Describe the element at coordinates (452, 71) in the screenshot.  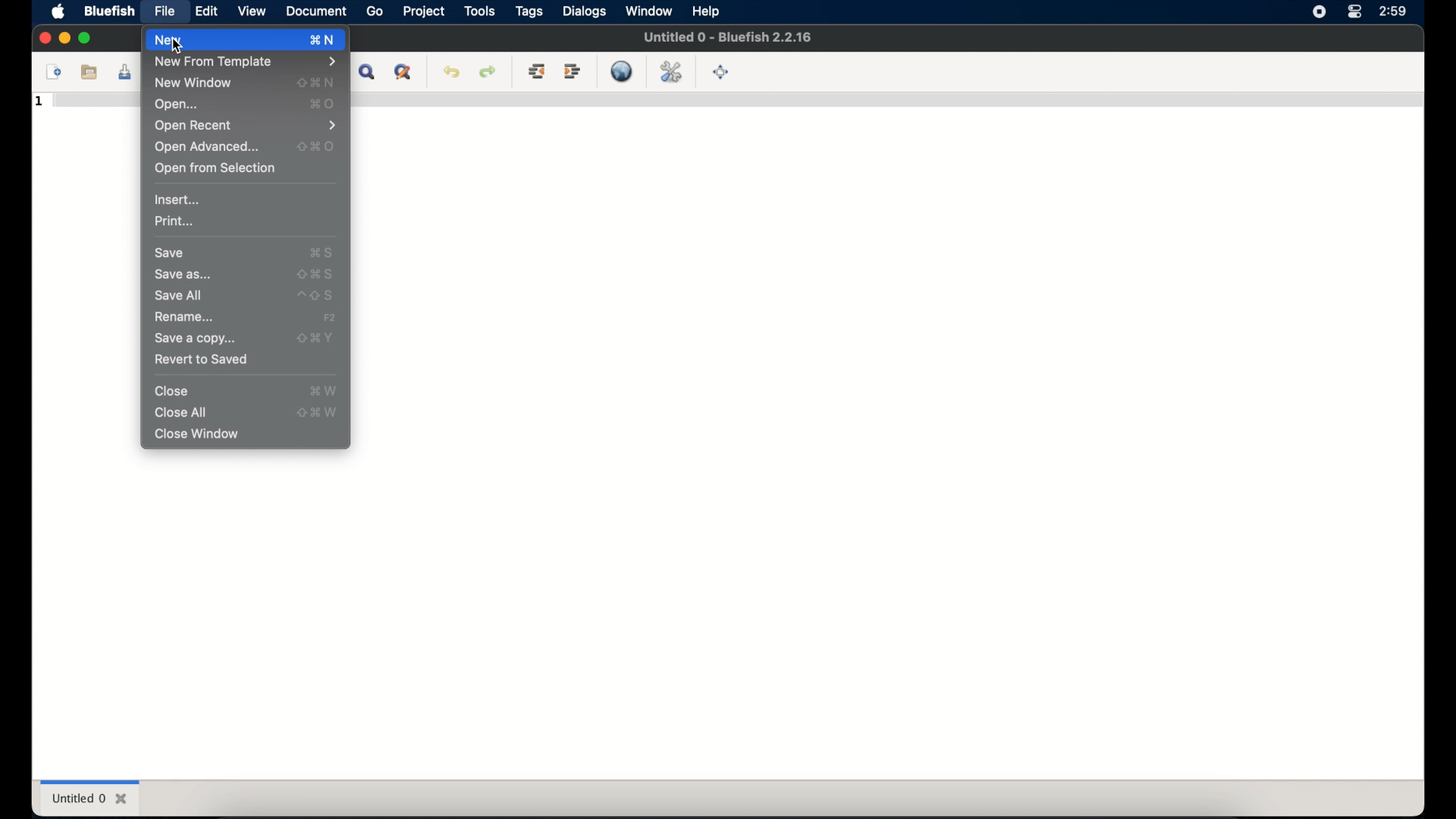
I see `undo` at that location.